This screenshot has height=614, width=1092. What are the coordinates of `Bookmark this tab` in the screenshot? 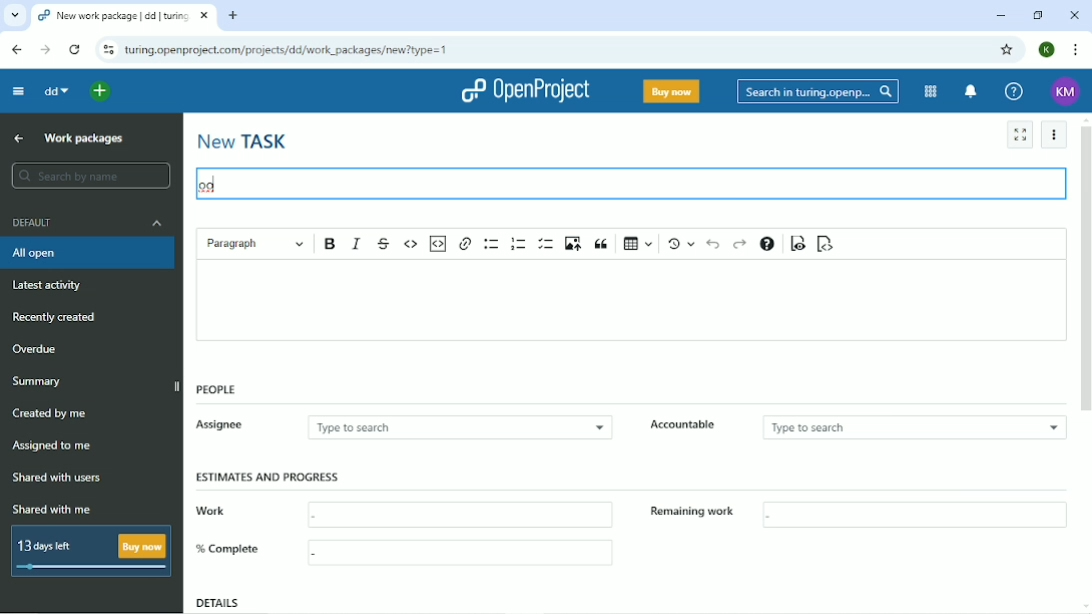 It's located at (1007, 50).